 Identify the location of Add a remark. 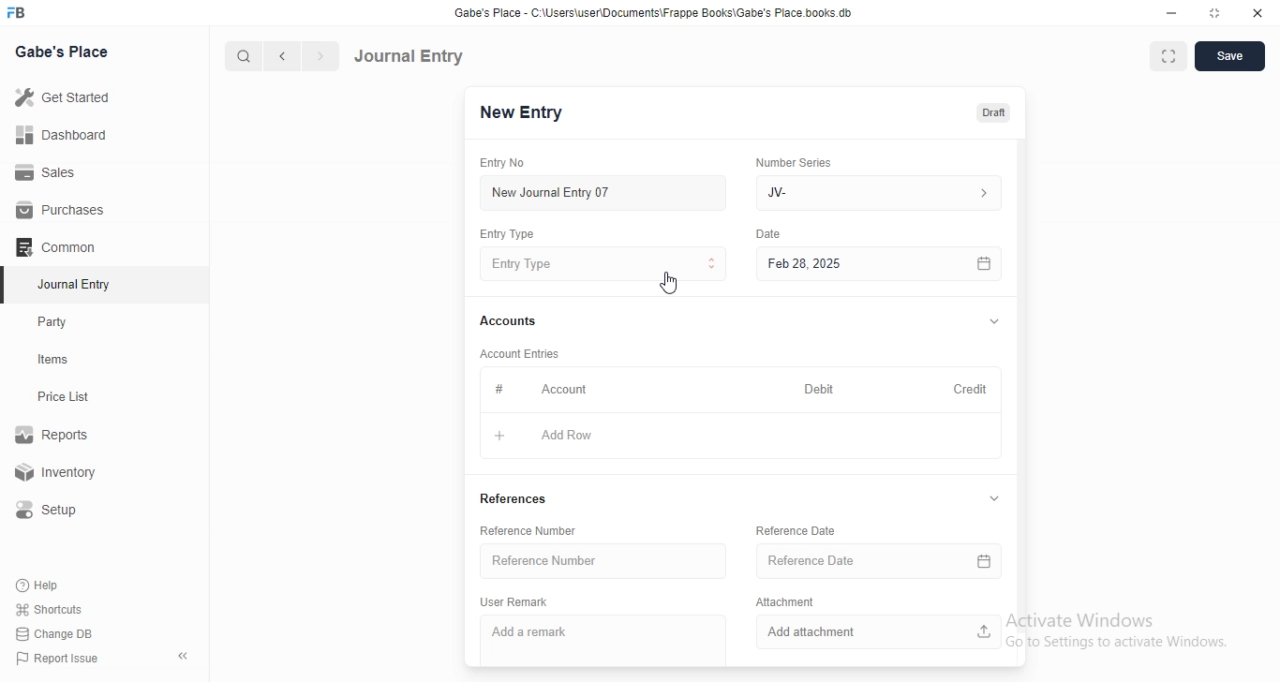
(540, 632).